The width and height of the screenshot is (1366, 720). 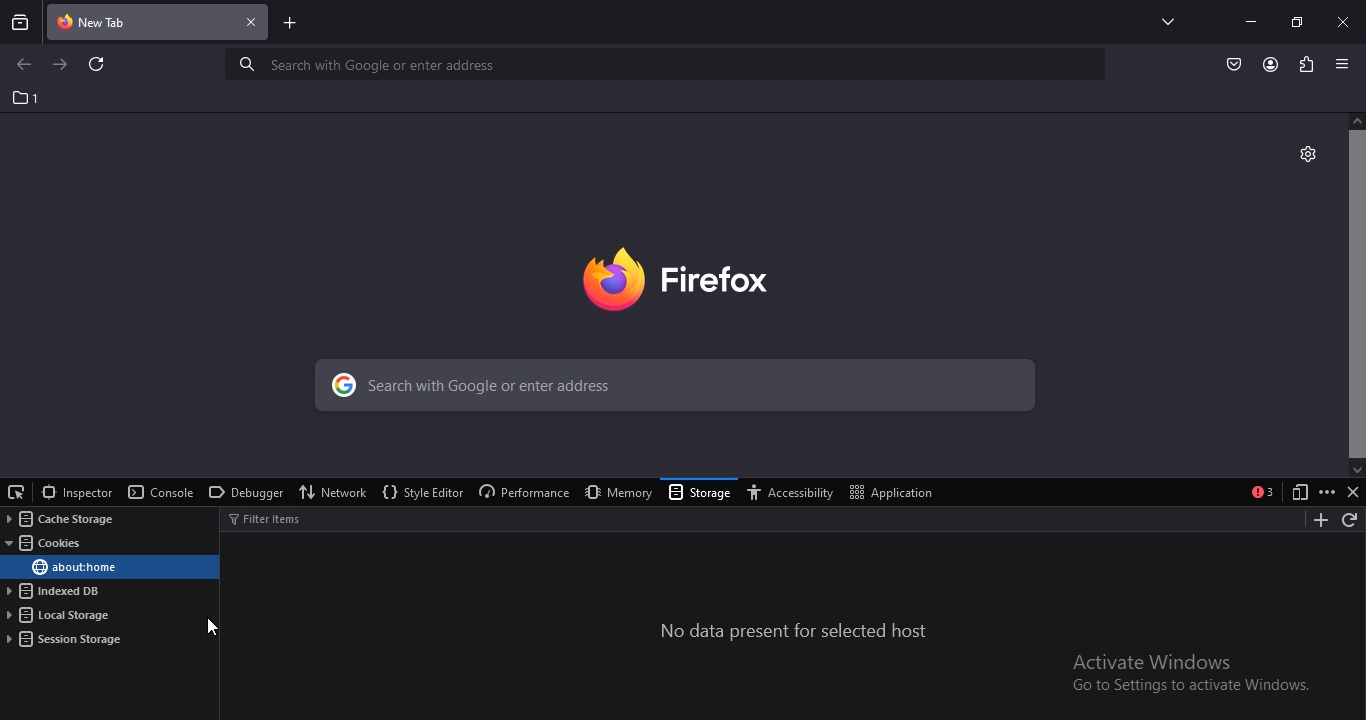 What do you see at coordinates (335, 491) in the screenshot?
I see `network` at bounding box center [335, 491].